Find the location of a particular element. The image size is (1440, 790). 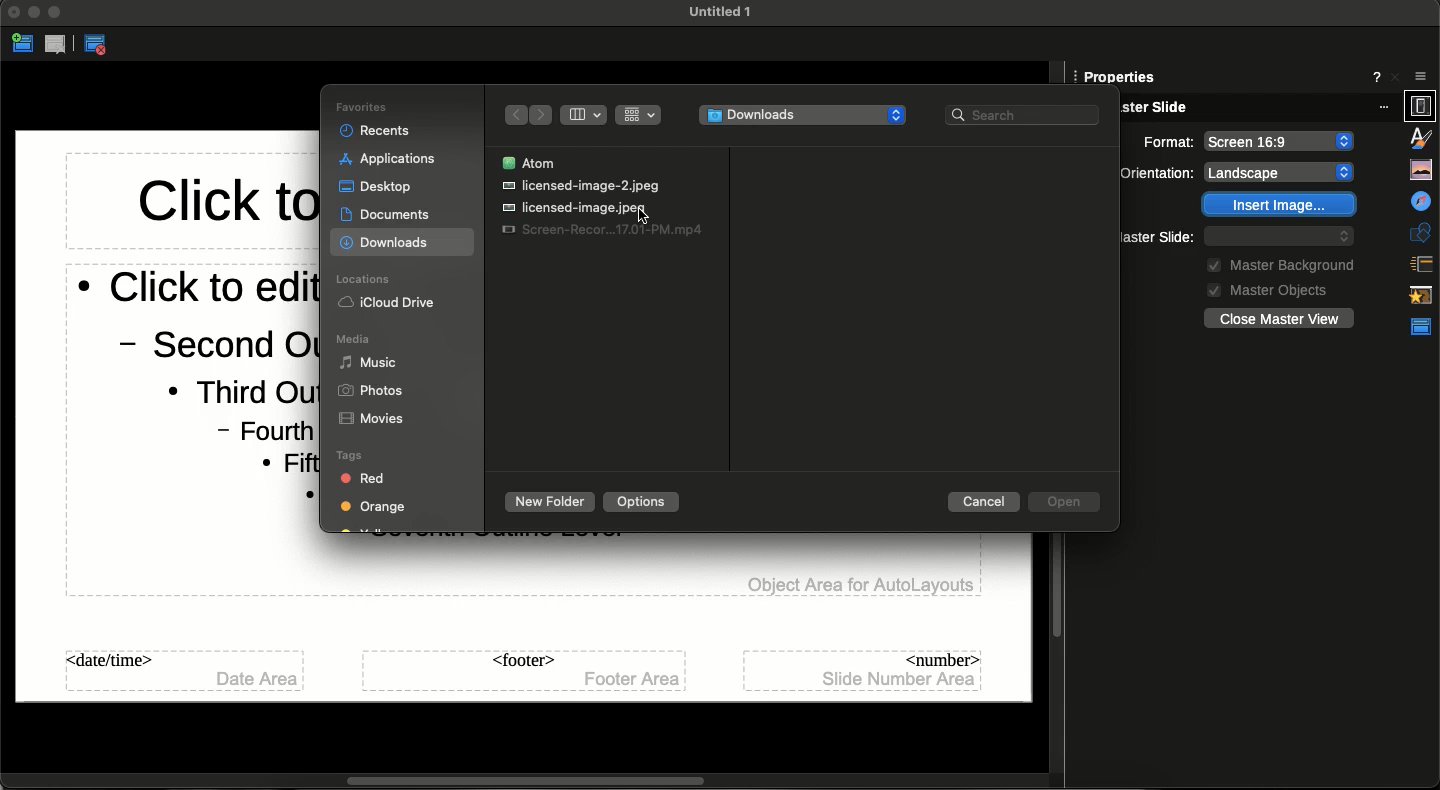

Animation is located at coordinates (1421, 261).